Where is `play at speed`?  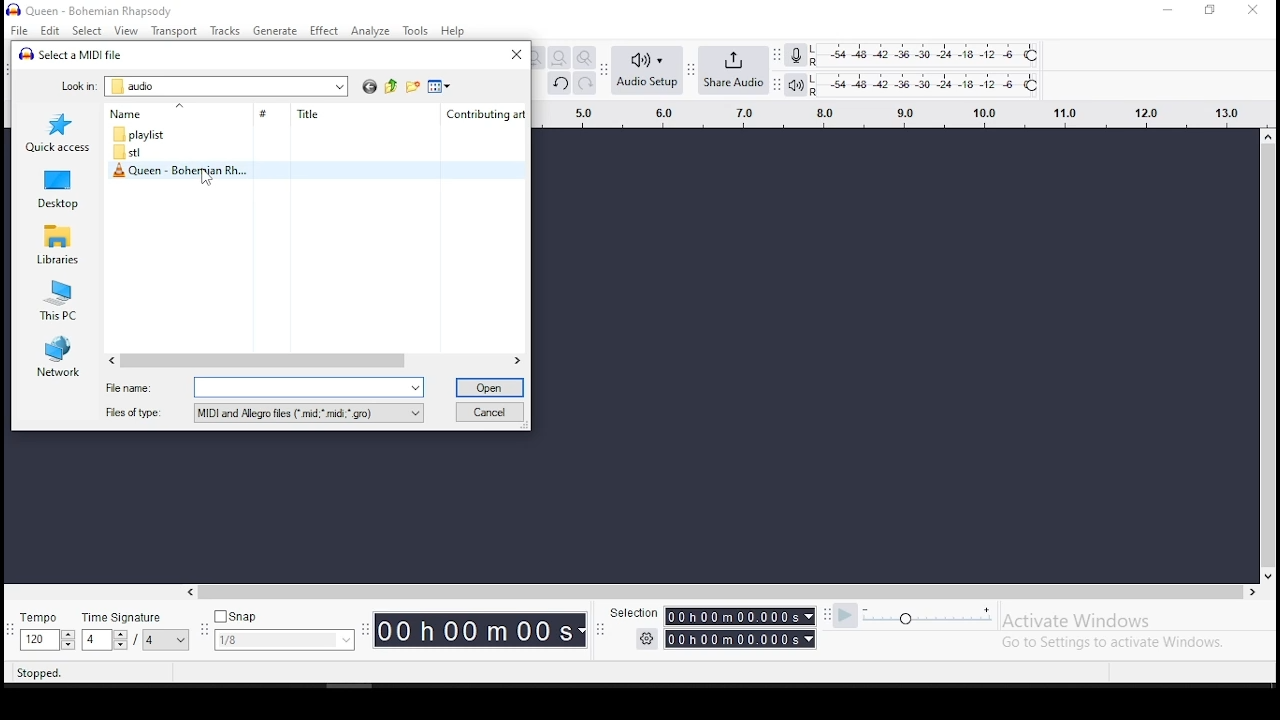 play at speed is located at coordinates (845, 617).